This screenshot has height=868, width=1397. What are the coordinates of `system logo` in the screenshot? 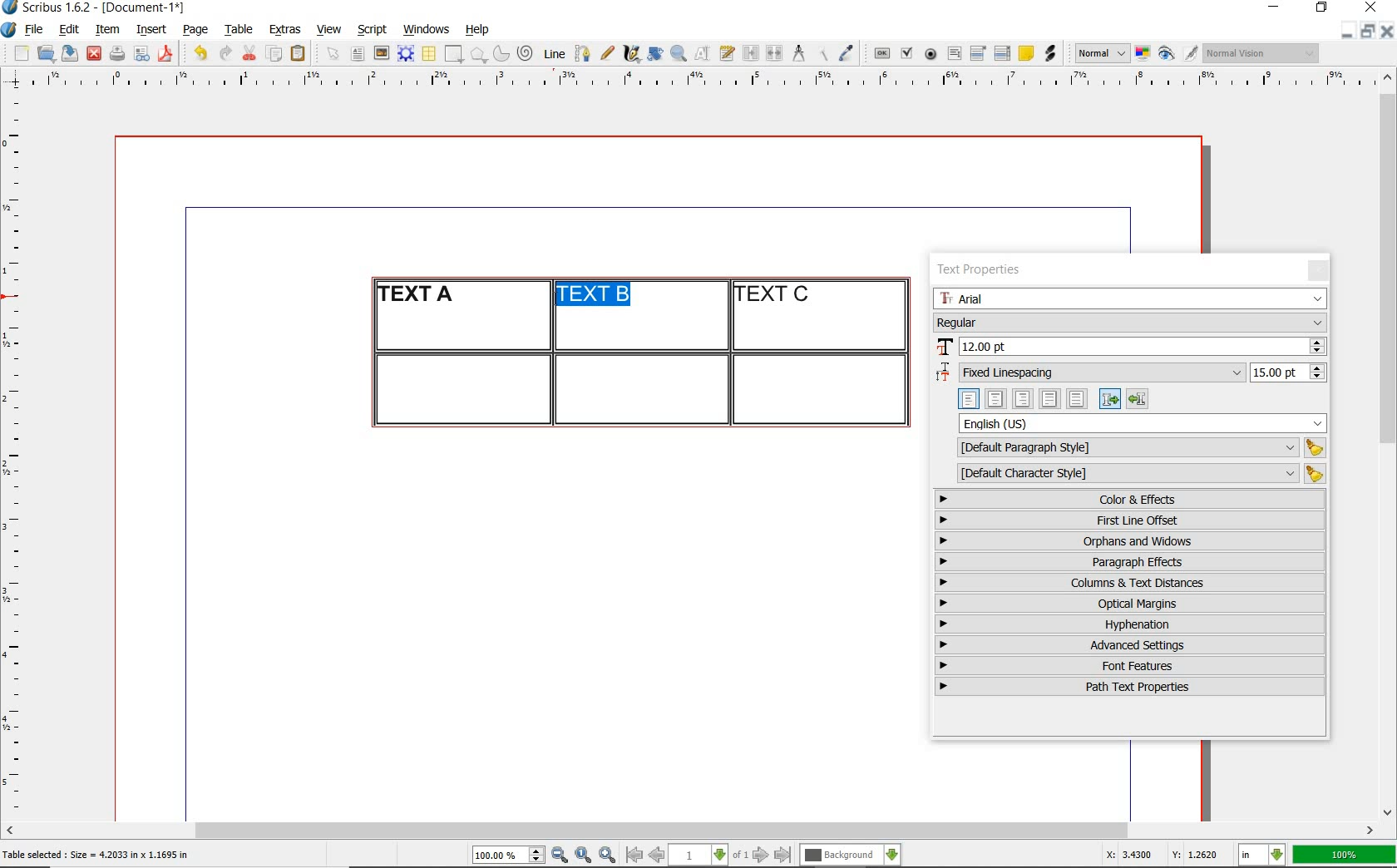 It's located at (10, 30).